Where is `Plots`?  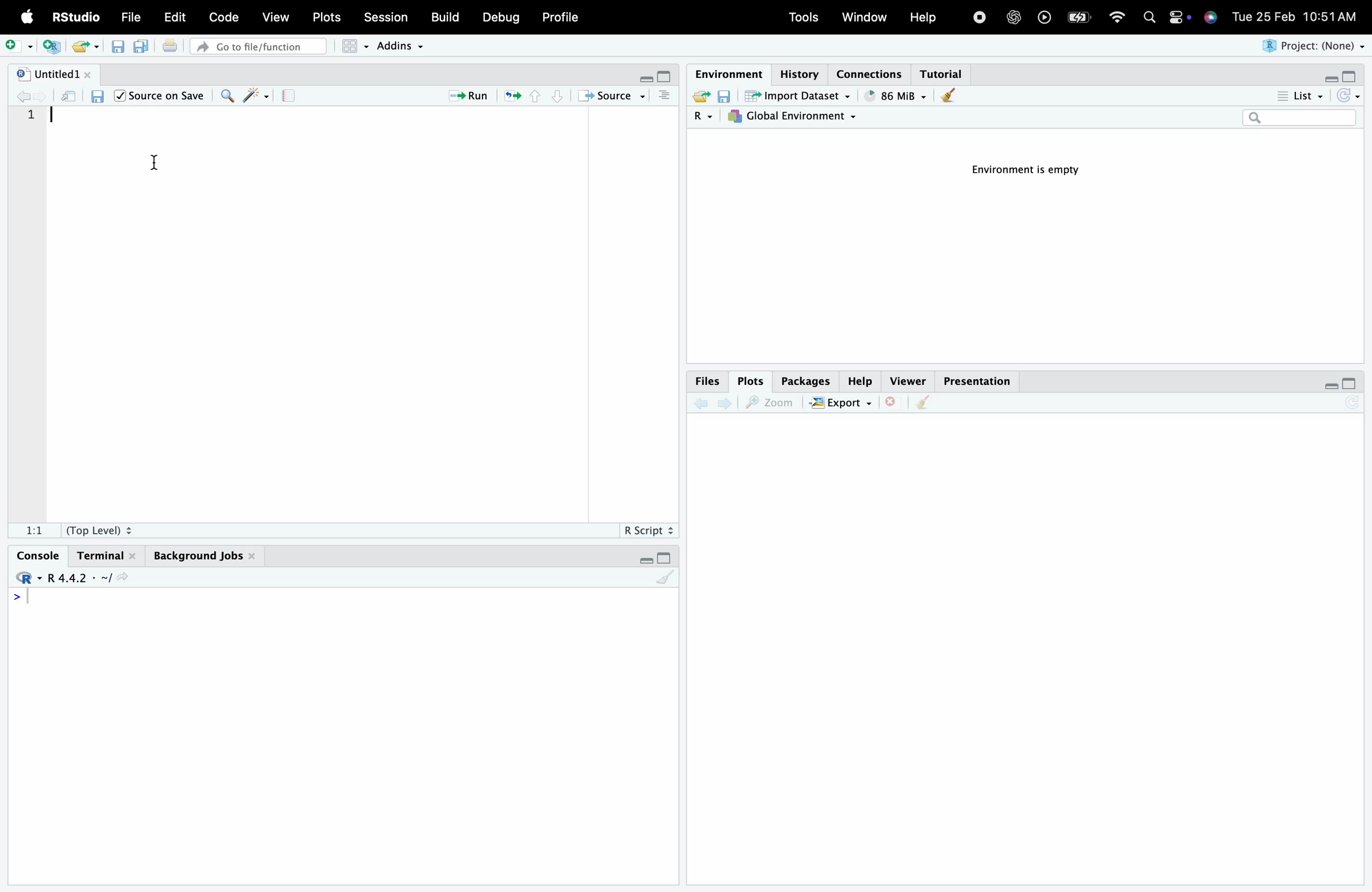 Plots is located at coordinates (747, 380).